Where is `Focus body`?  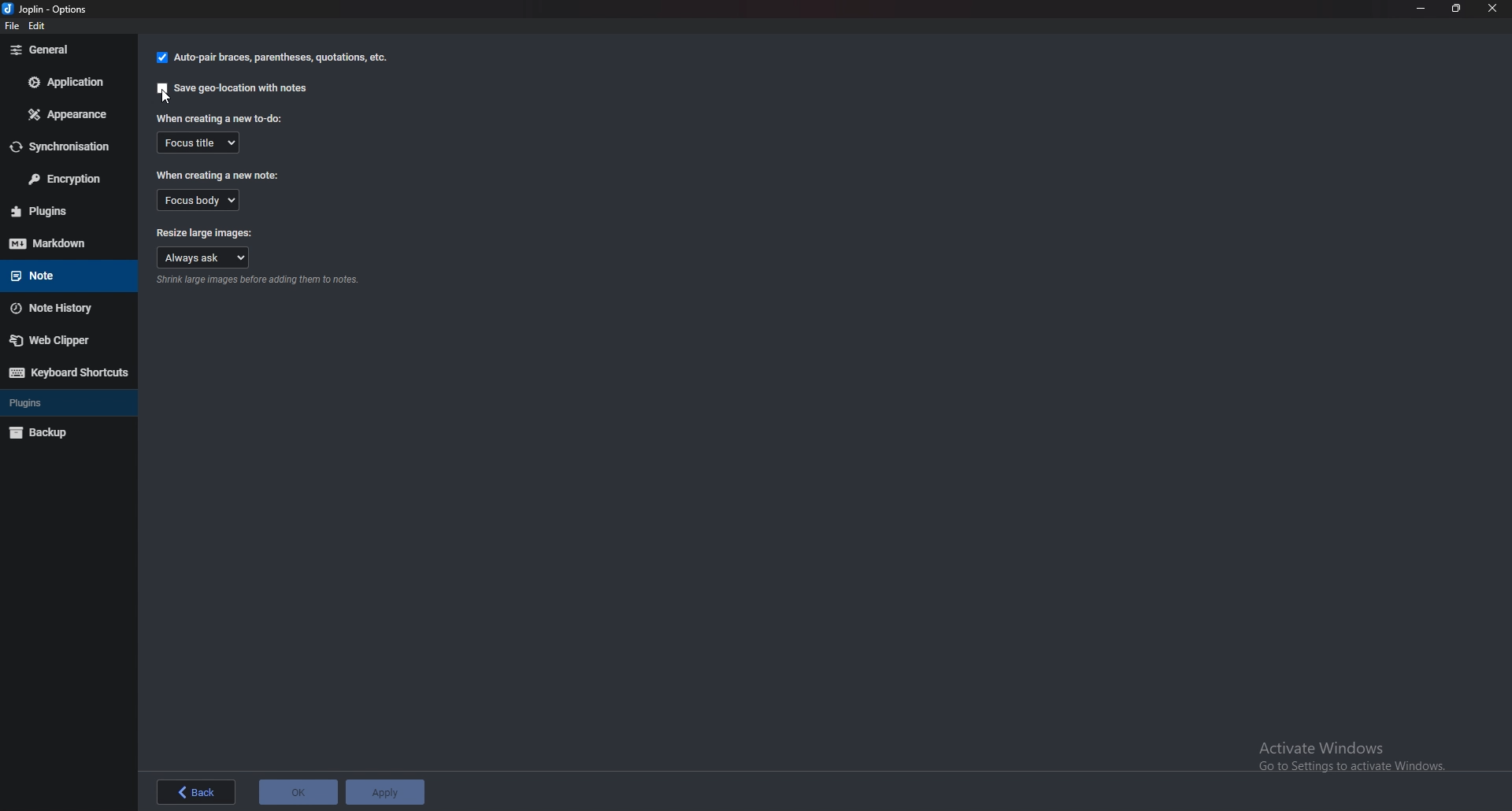
Focus body is located at coordinates (202, 201).